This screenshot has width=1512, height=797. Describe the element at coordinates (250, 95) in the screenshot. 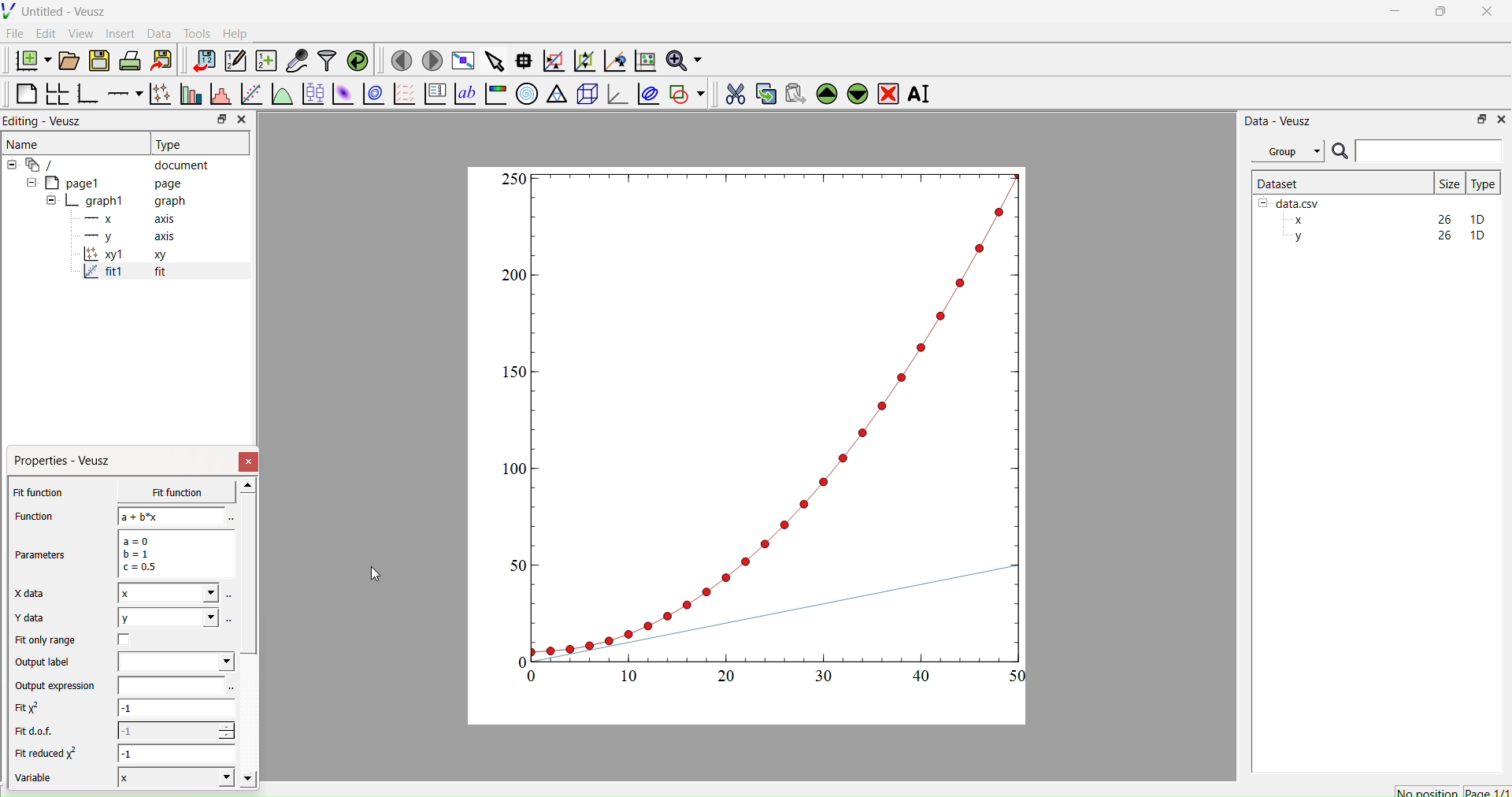

I see `Fit a function to data` at that location.